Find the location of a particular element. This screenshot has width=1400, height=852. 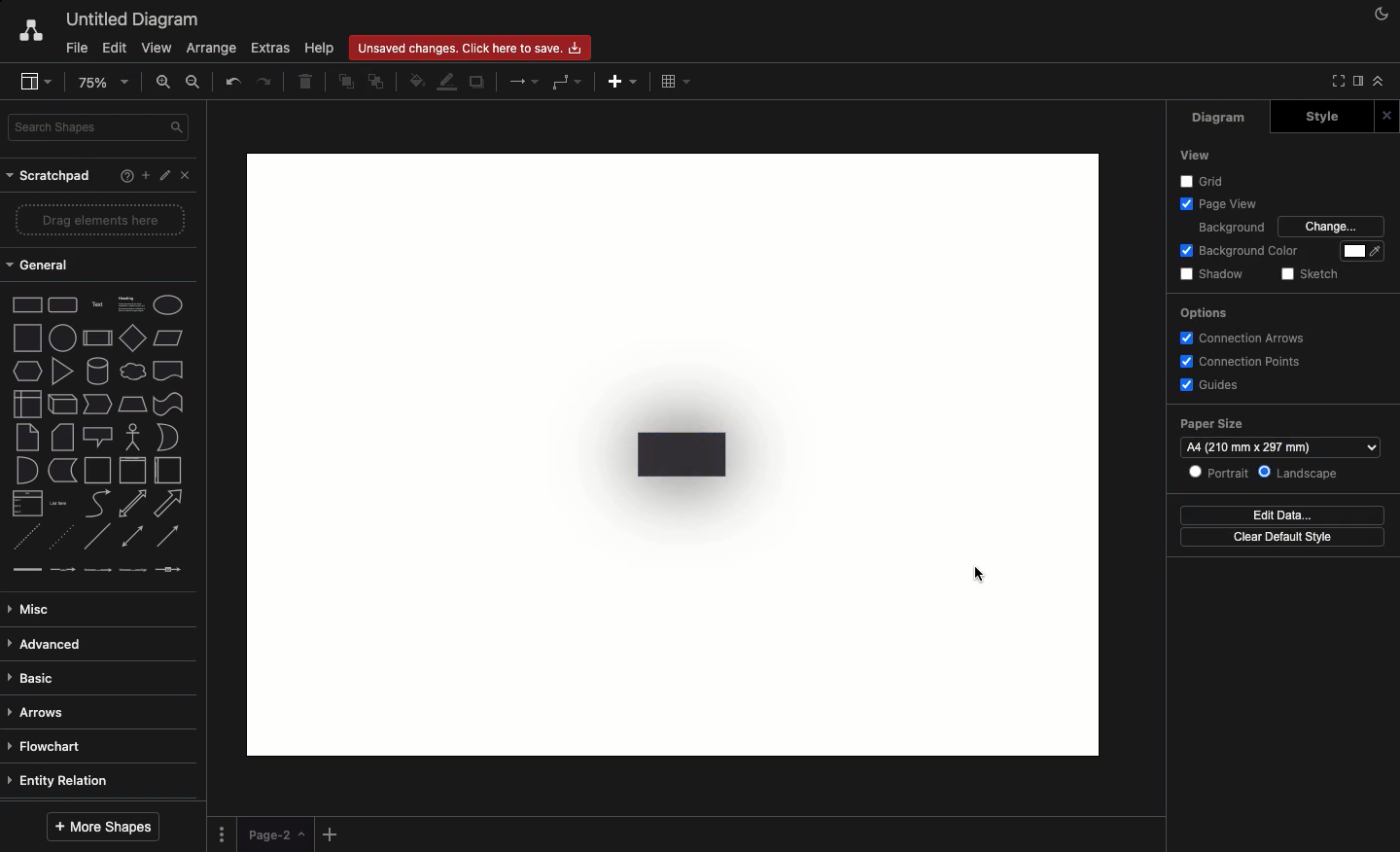

View is located at coordinates (1194, 155).